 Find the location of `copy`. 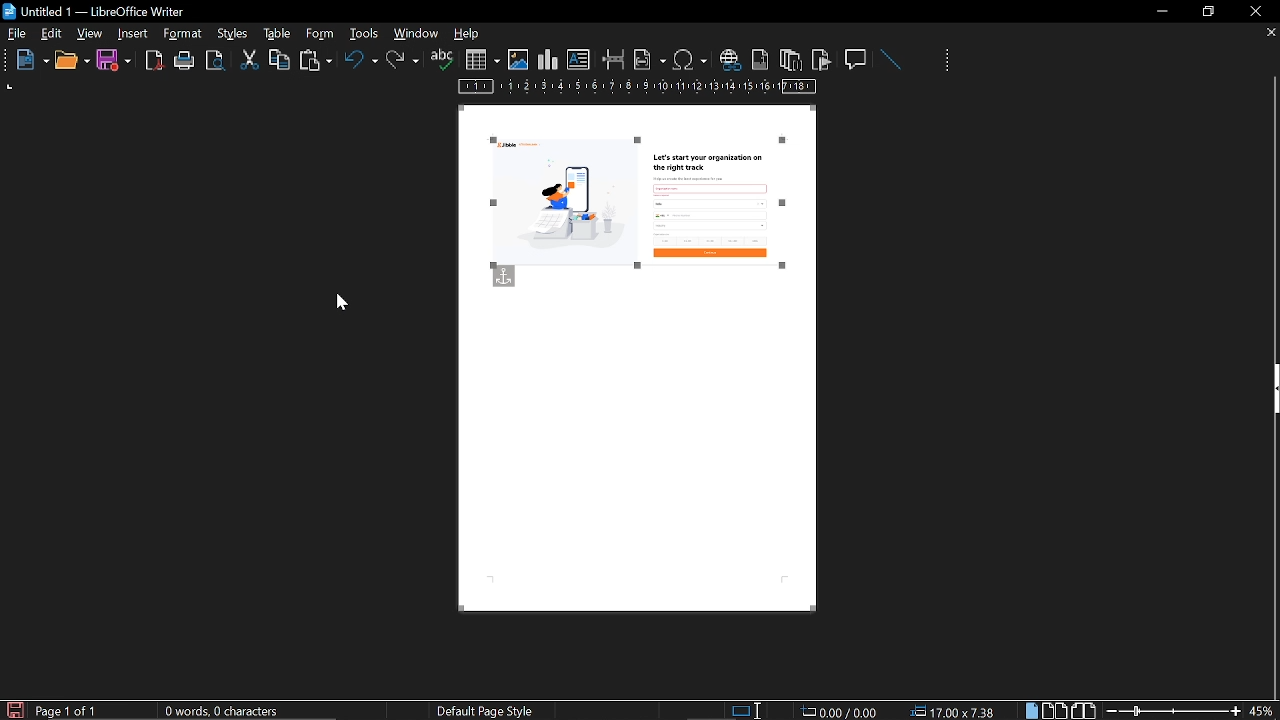

copy is located at coordinates (279, 59).